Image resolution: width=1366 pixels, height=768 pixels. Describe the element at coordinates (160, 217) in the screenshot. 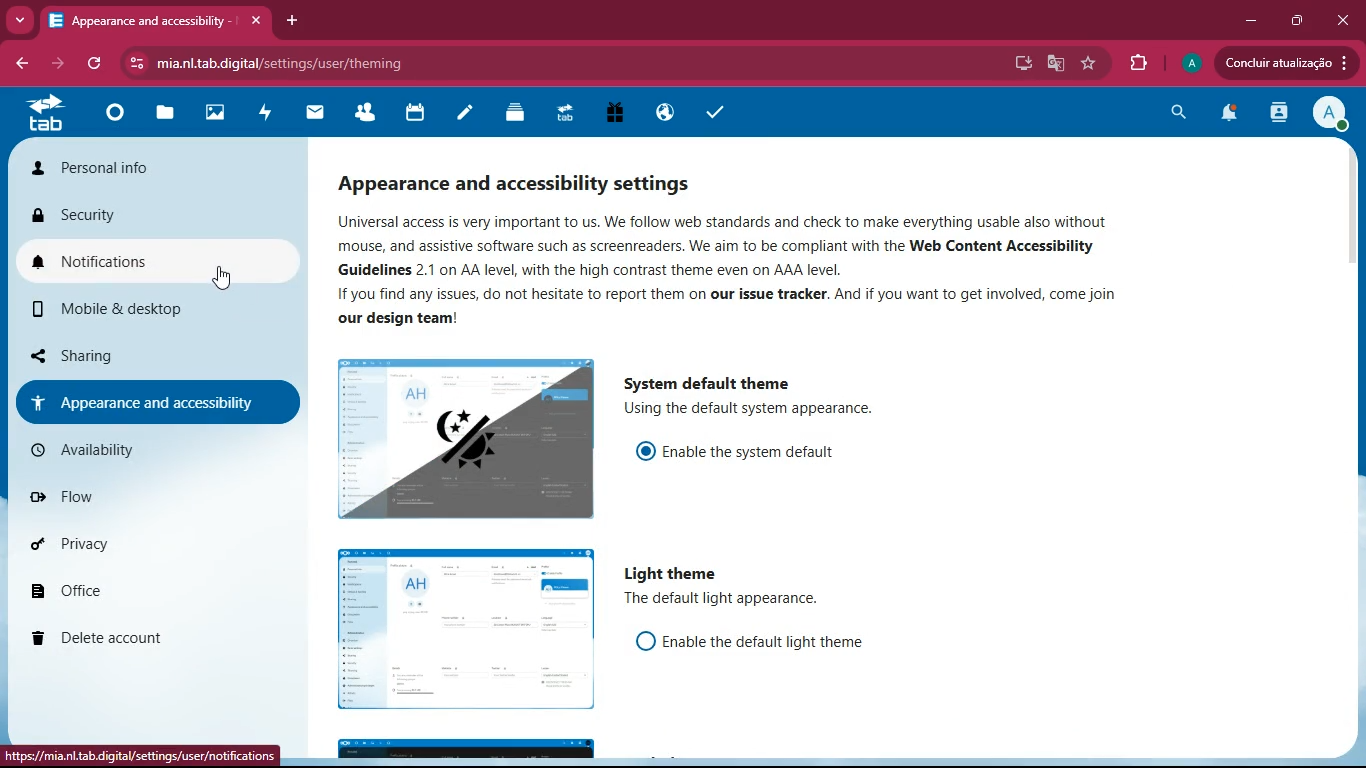

I see `security` at that location.